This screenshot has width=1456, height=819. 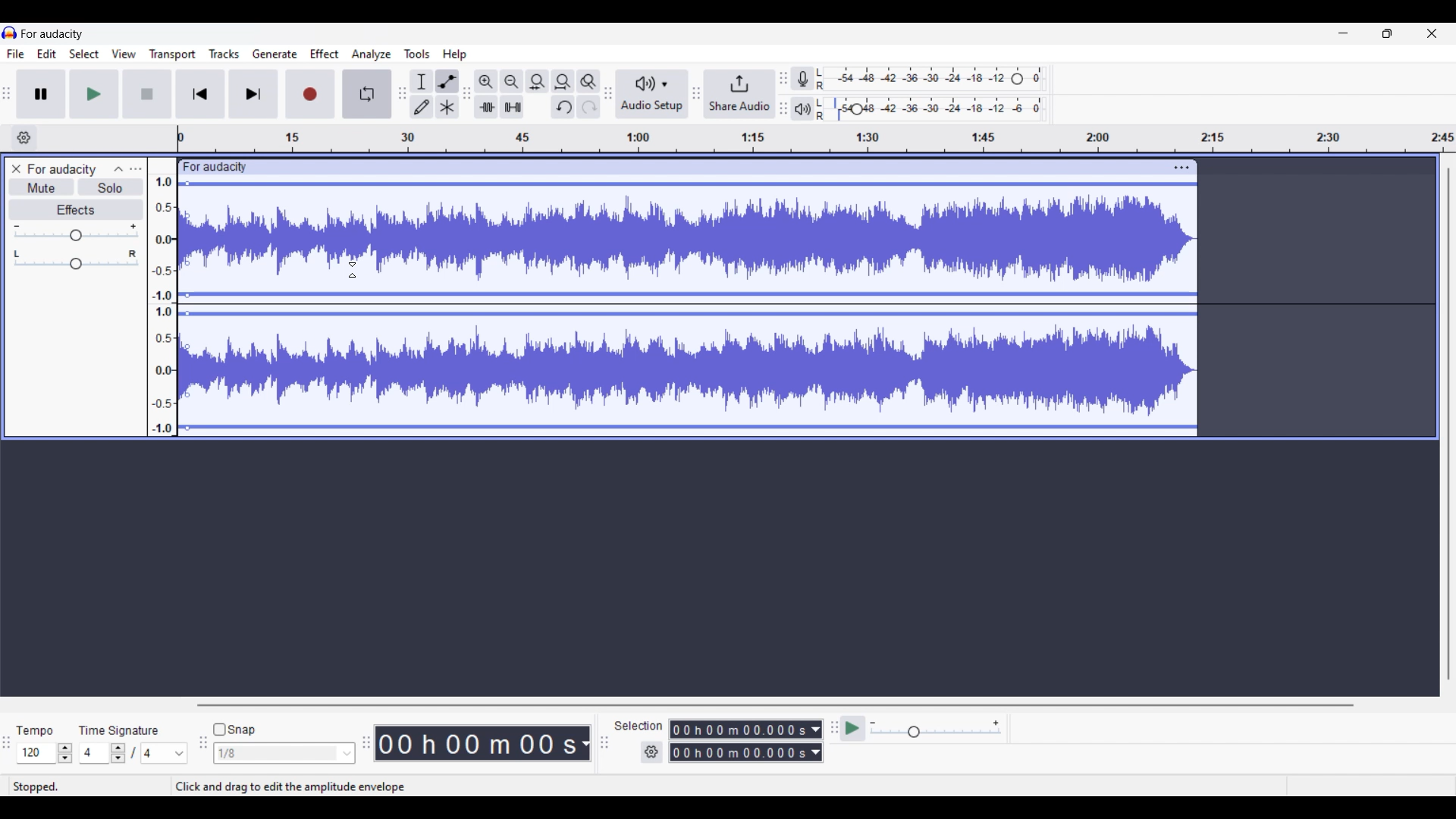 What do you see at coordinates (118, 731) in the screenshot?
I see `time signature` at bounding box center [118, 731].